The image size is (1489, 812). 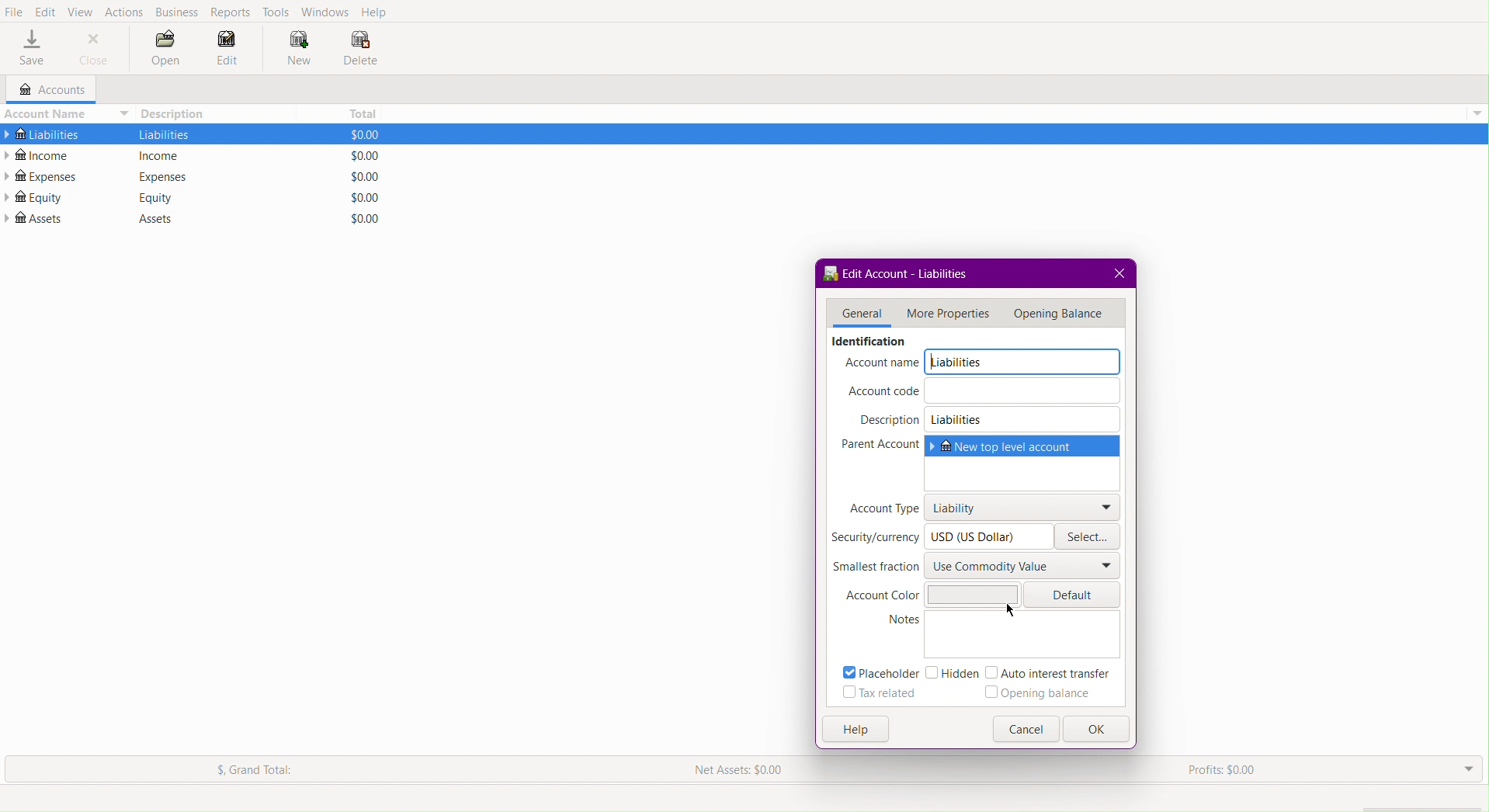 I want to click on Assets, so click(x=36, y=218).